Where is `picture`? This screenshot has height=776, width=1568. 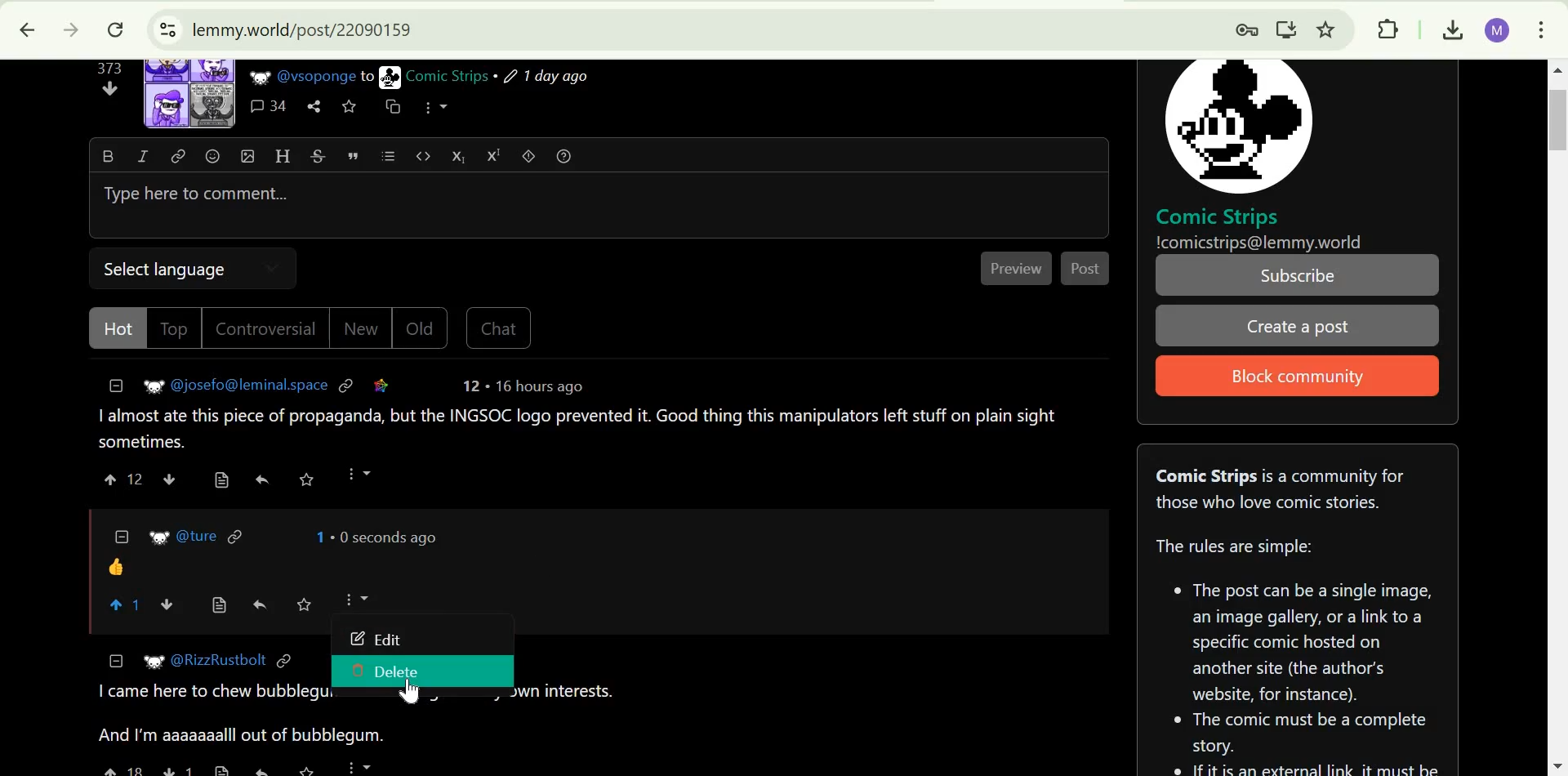
picture is located at coordinates (1237, 125).